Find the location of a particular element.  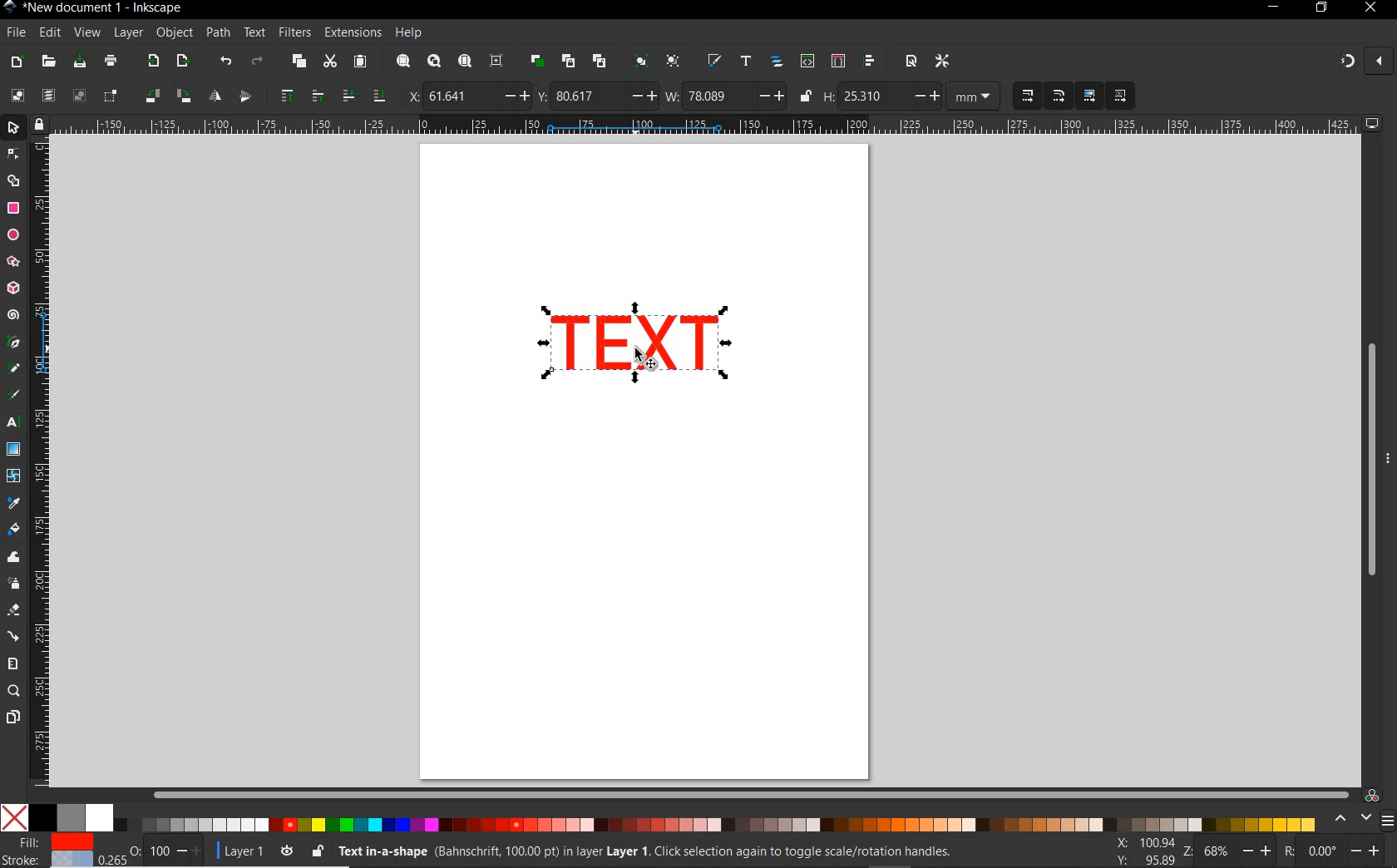

scrollbar is located at coordinates (1370, 460).